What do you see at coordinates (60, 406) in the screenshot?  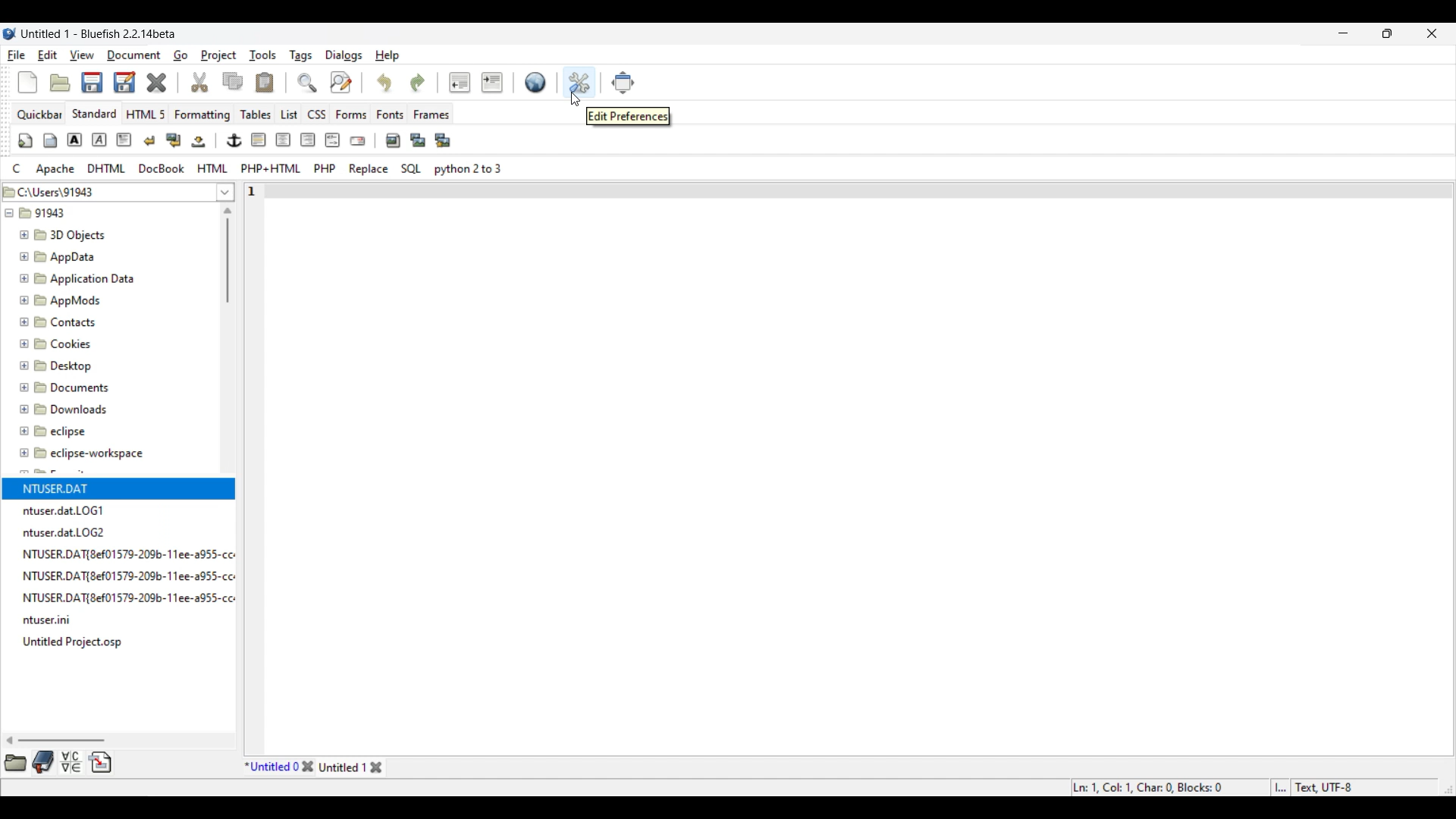 I see `BB B Downloads` at bounding box center [60, 406].